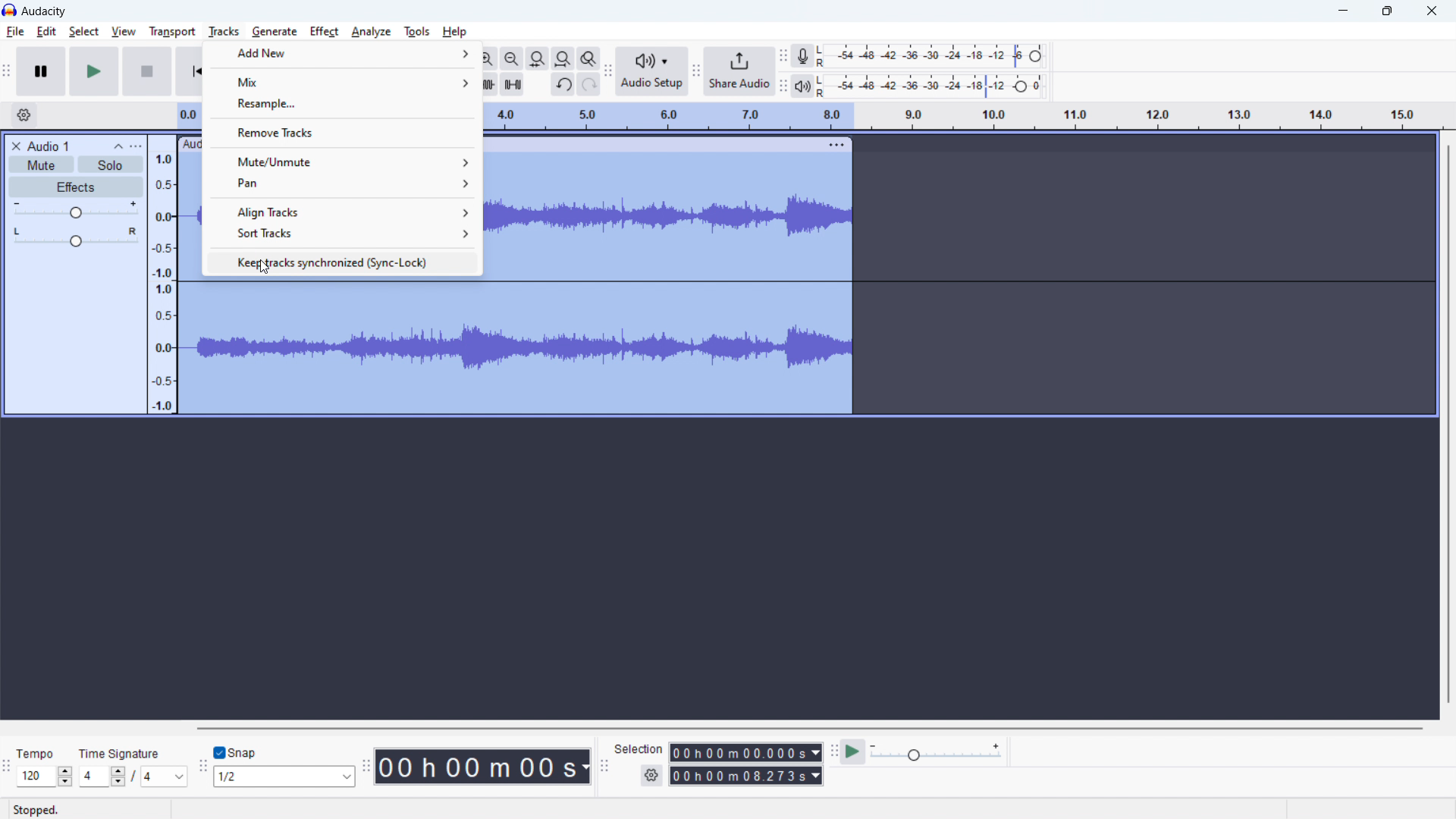  Describe the element at coordinates (653, 72) in the screenshot. I see `audio setup` at that location.